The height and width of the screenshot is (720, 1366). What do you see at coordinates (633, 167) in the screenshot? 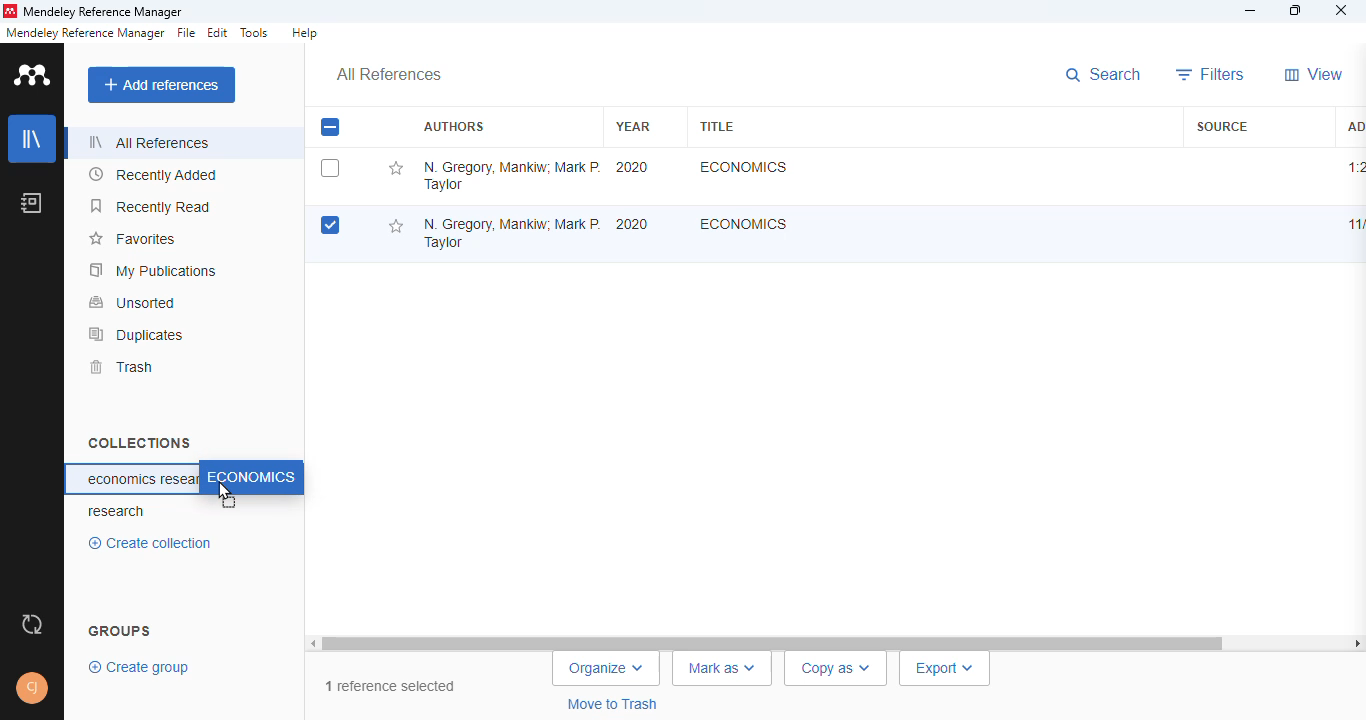
I see `2020` at bounding box center [633, 167].